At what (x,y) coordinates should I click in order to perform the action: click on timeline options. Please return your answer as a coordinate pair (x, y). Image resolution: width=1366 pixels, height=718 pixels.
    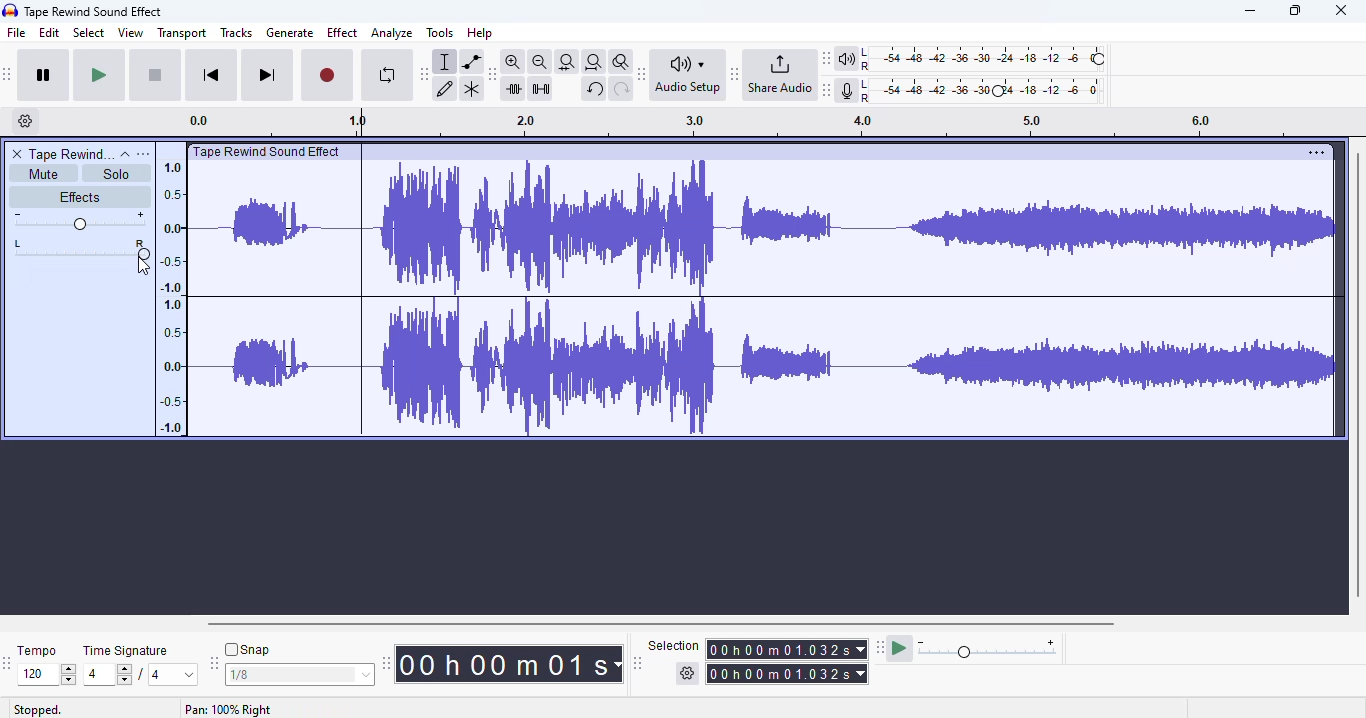
    Looking at the image, I should click on (26, 120).